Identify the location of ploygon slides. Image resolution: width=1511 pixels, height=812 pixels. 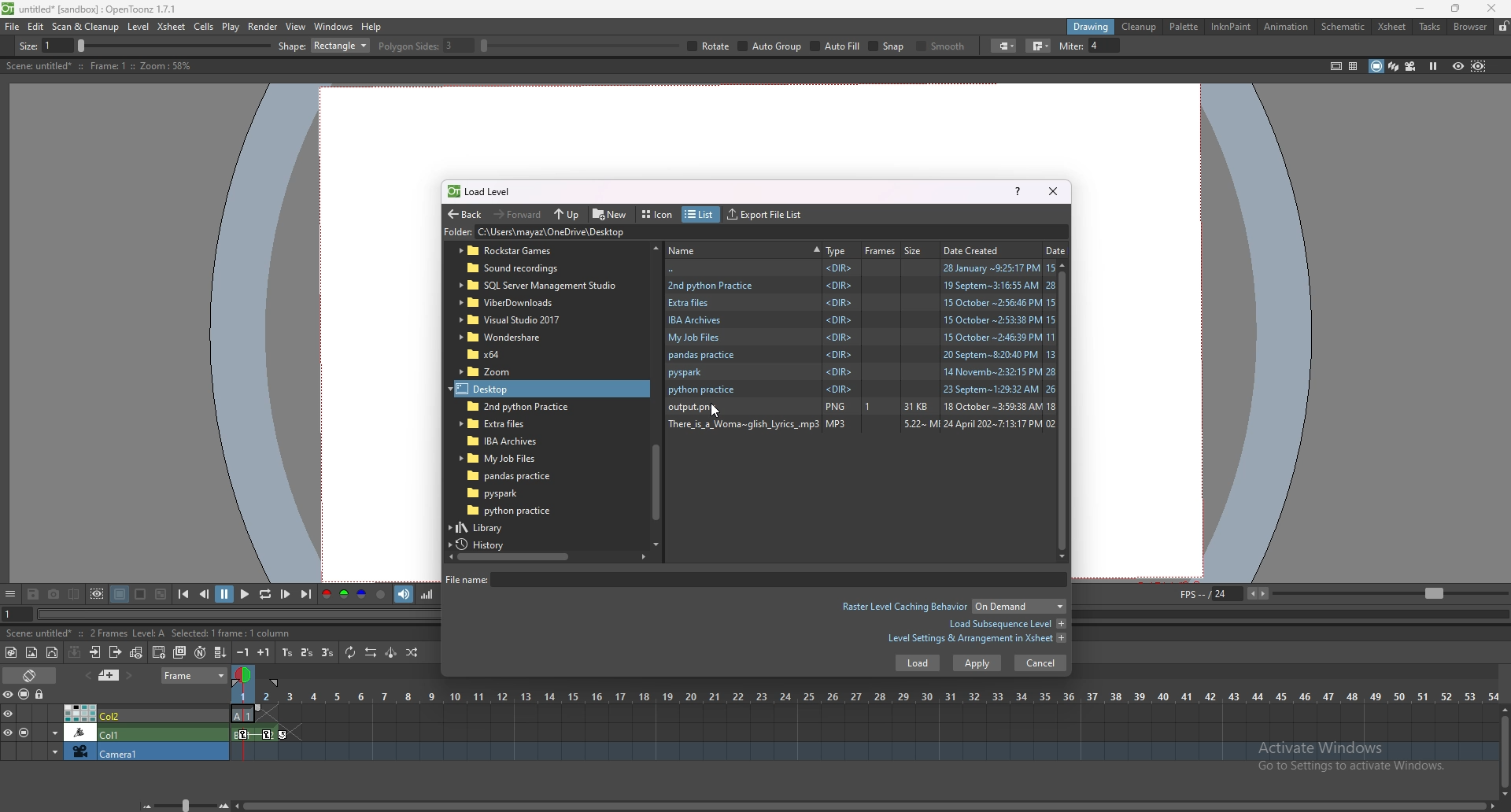
(742, 46).